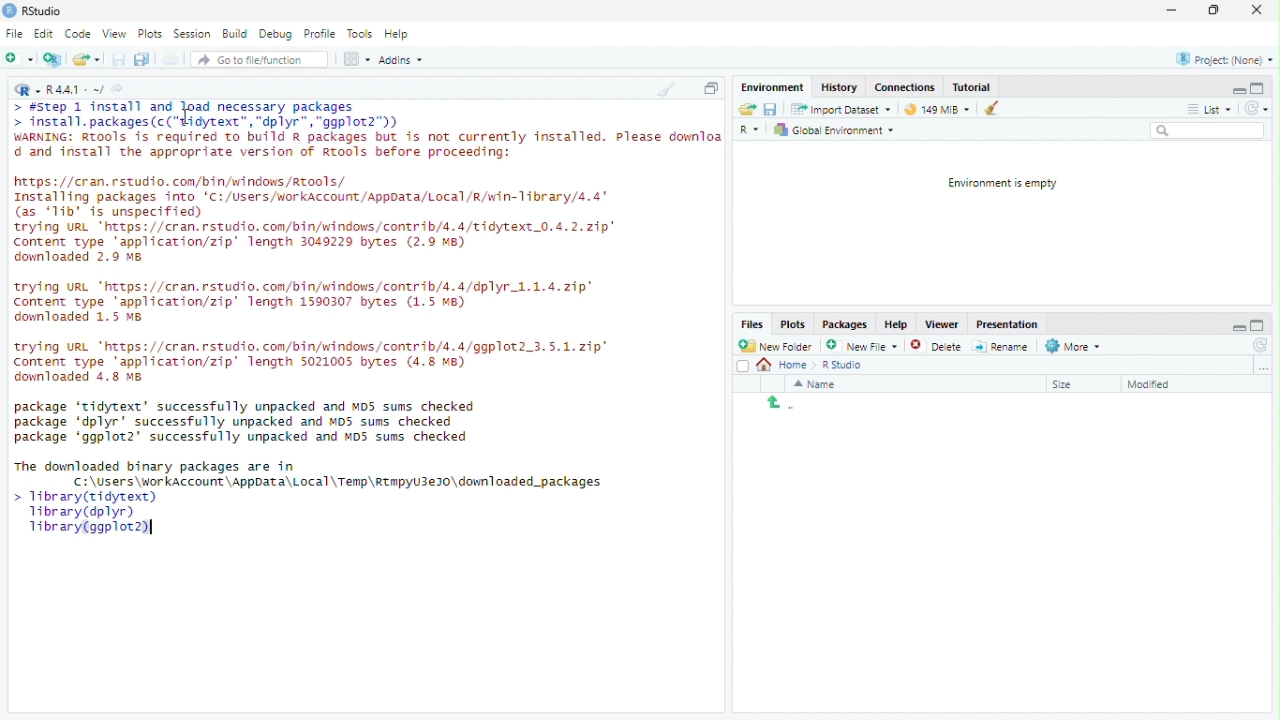 This screenshot has width=1280, height=720. What do you see at coordinates (770, 109) in the screenshot?
I see `Save` at bounding box center [770, 109].